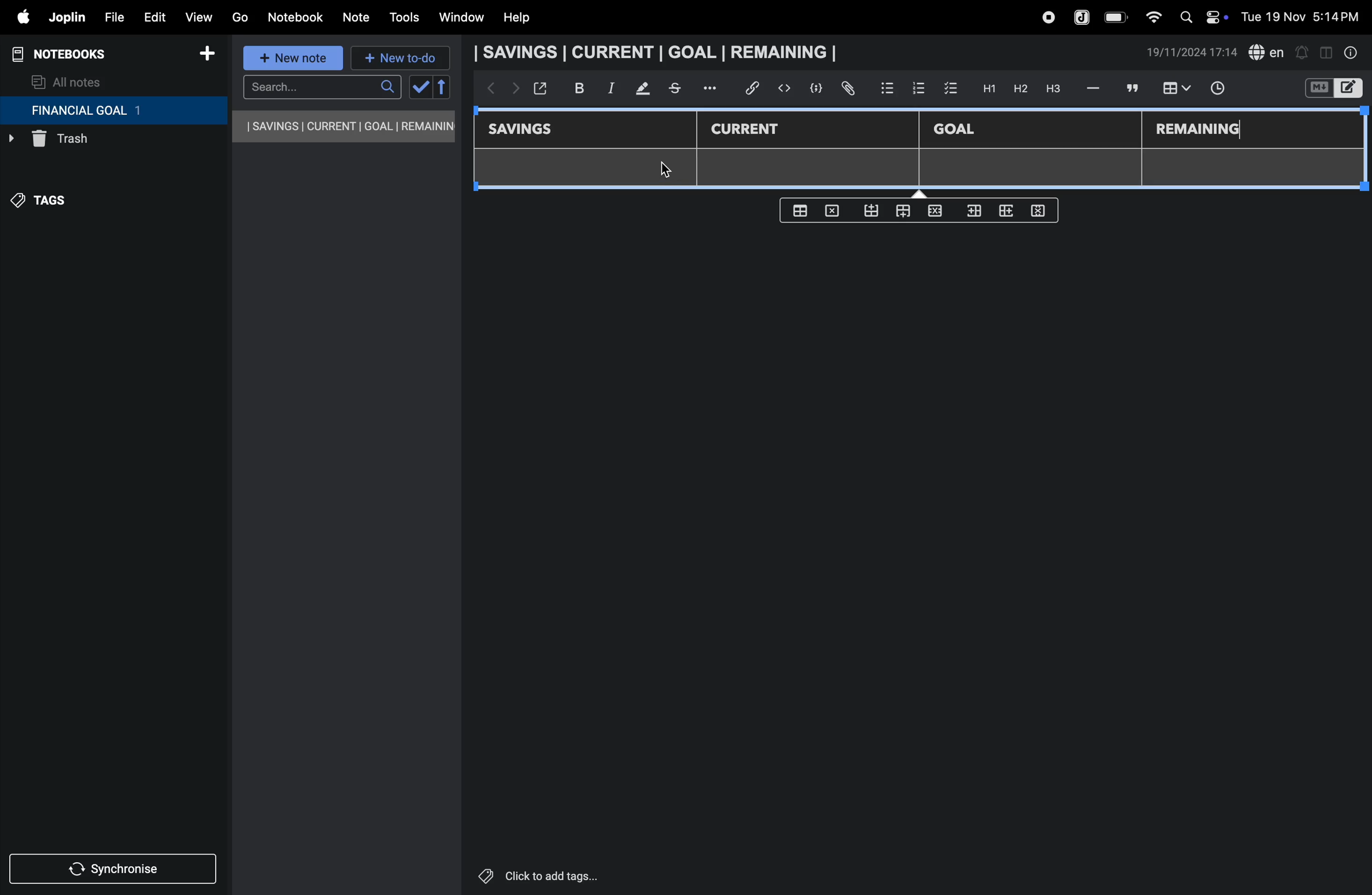 The image size is (1372, 895). I want to click on new note, so click(295, 59).